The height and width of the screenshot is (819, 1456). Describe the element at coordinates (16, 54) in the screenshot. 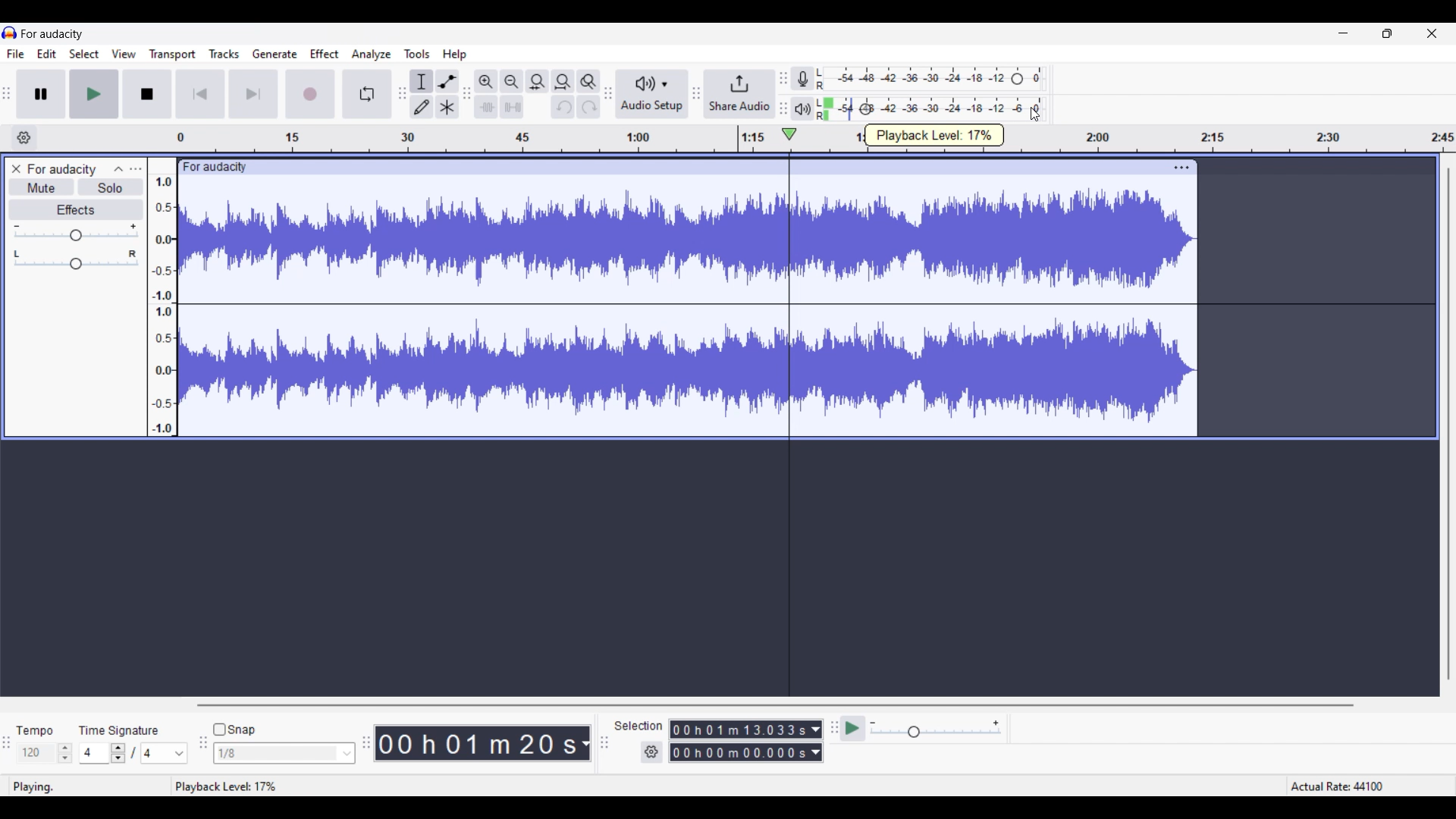

I see `File menu` at that location.